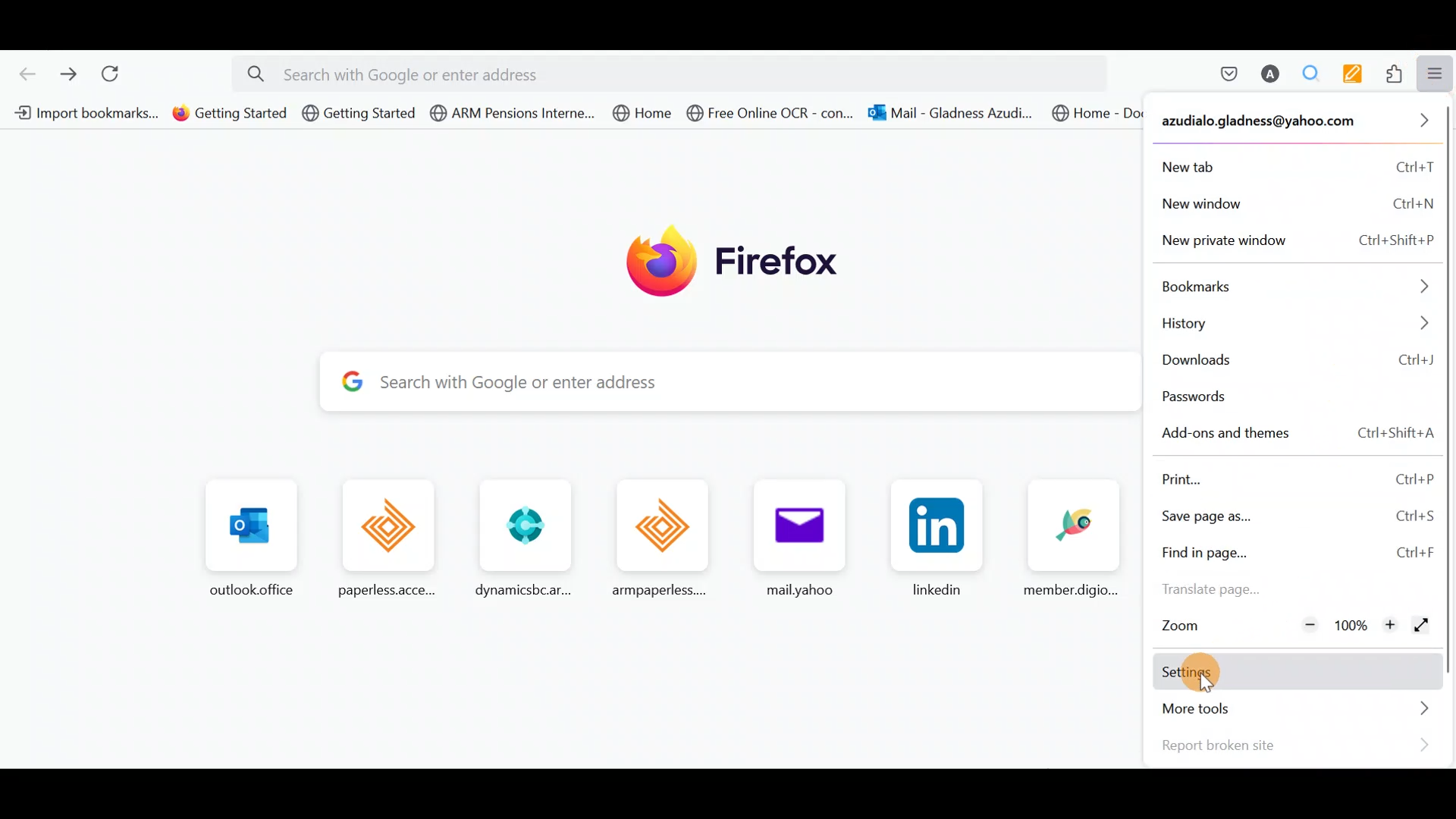 This screenshot has width=1456, height=819. What do you see at coordinates (1285, 171) in the screenshot?
I see `New tab` at bounding box center [1285, 171].